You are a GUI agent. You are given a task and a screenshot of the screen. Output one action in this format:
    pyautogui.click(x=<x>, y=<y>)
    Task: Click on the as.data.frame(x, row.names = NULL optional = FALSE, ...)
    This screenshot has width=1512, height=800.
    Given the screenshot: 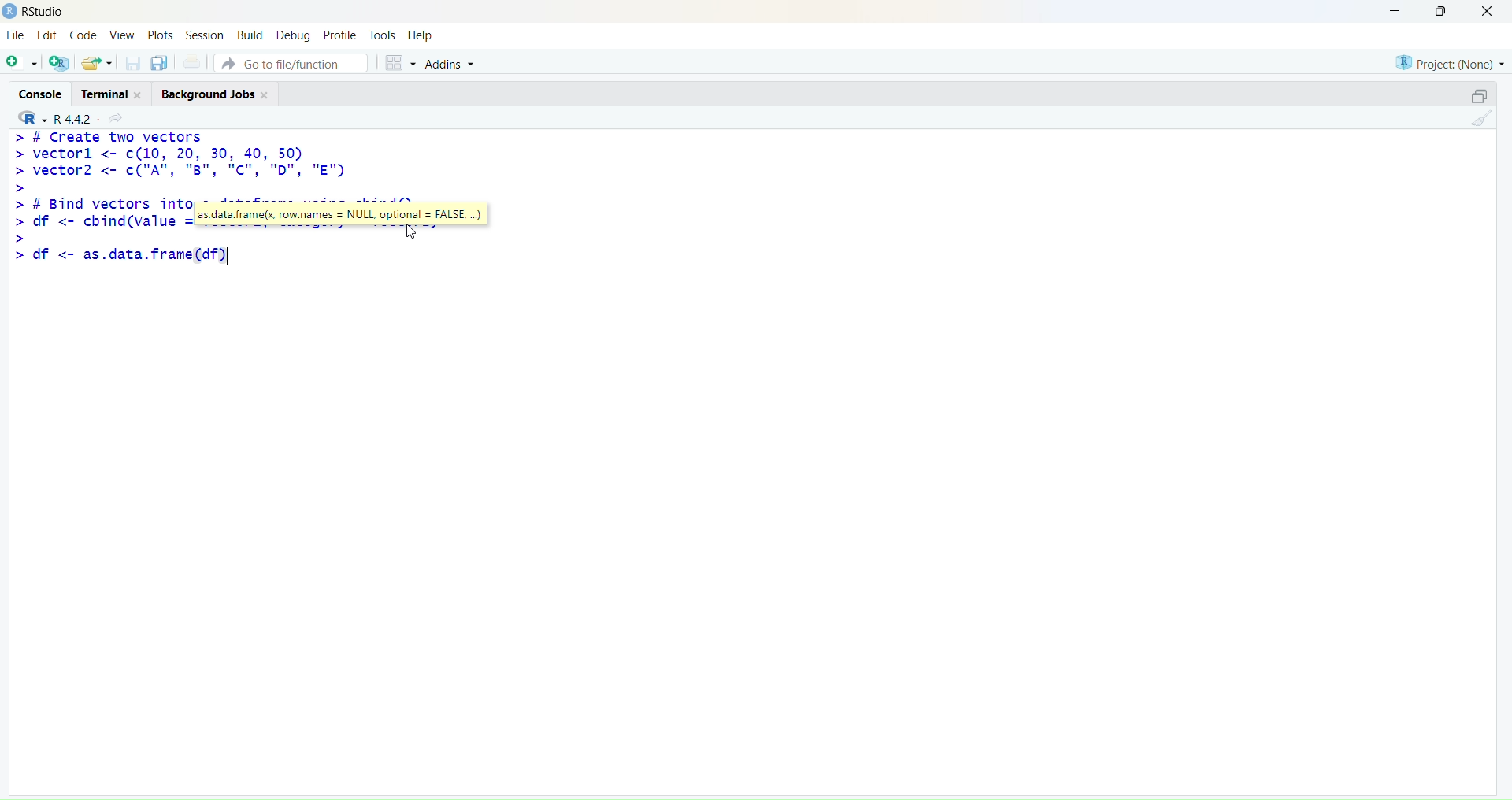 What is the action you would take?
    pyautogui.click(x=341, y=213)
    